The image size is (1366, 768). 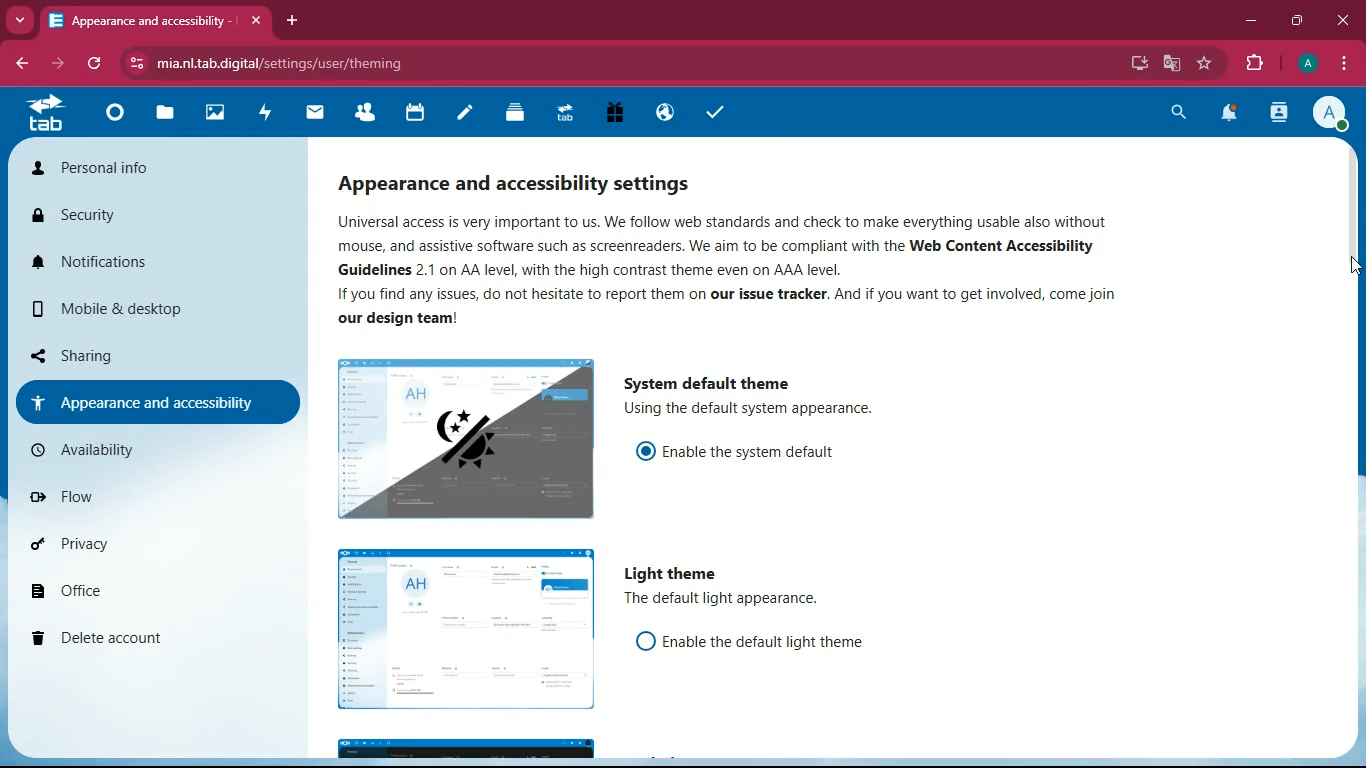 I want to click on layers, so click(x=515, y=115).